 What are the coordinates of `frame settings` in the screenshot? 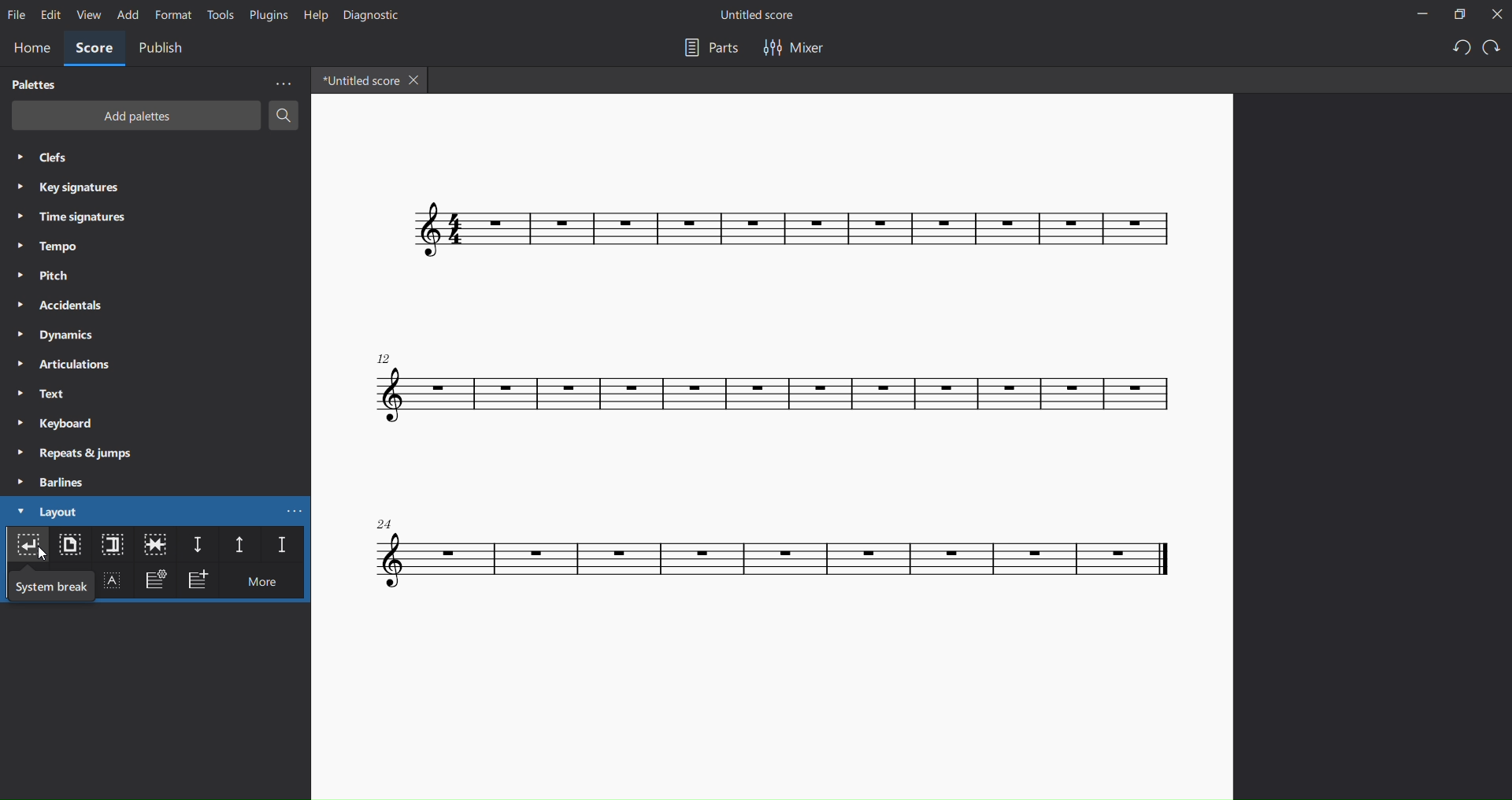 It's located at (154, 583).